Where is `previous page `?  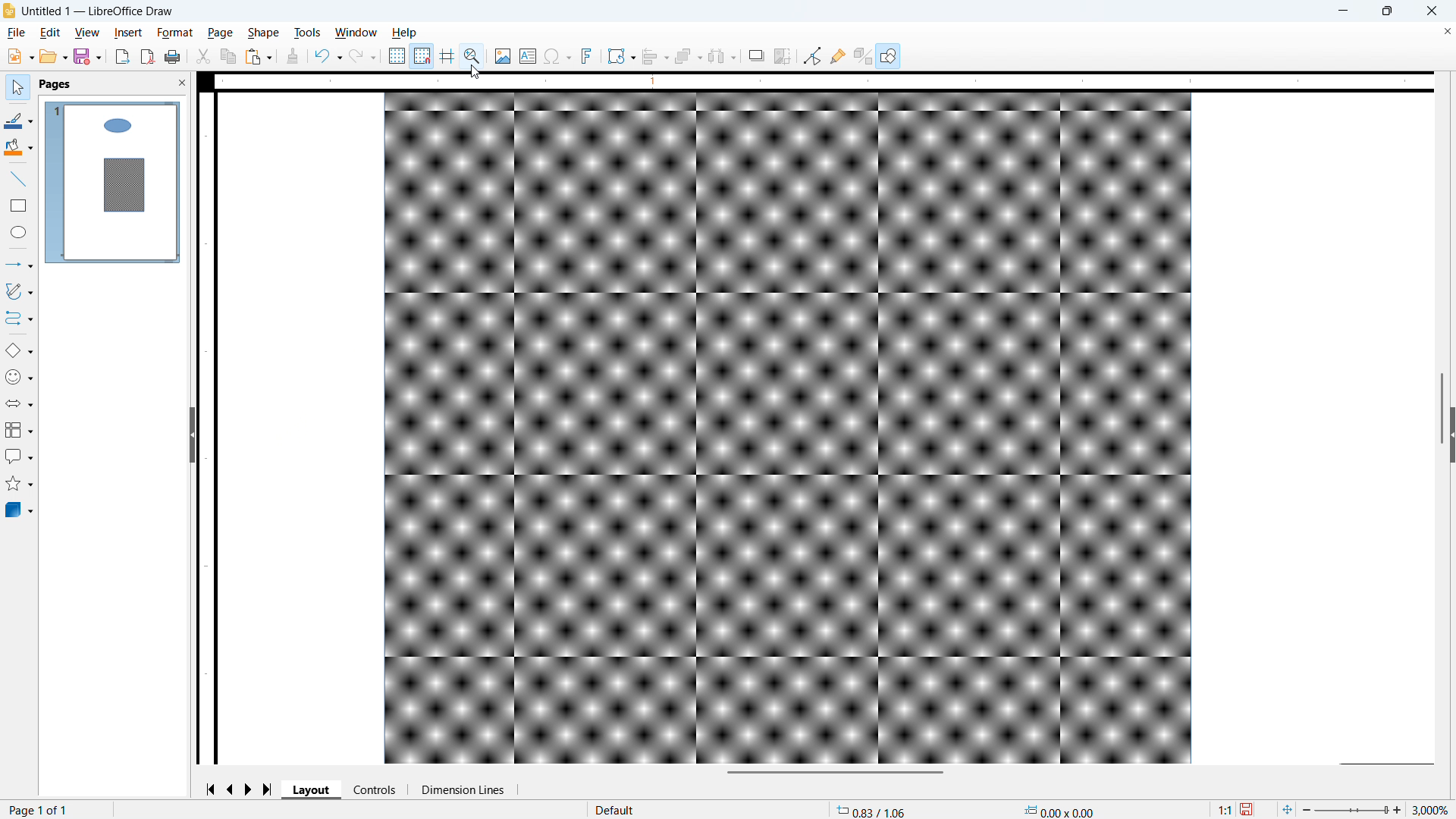 previous page  is located at coordinates (232, 789).